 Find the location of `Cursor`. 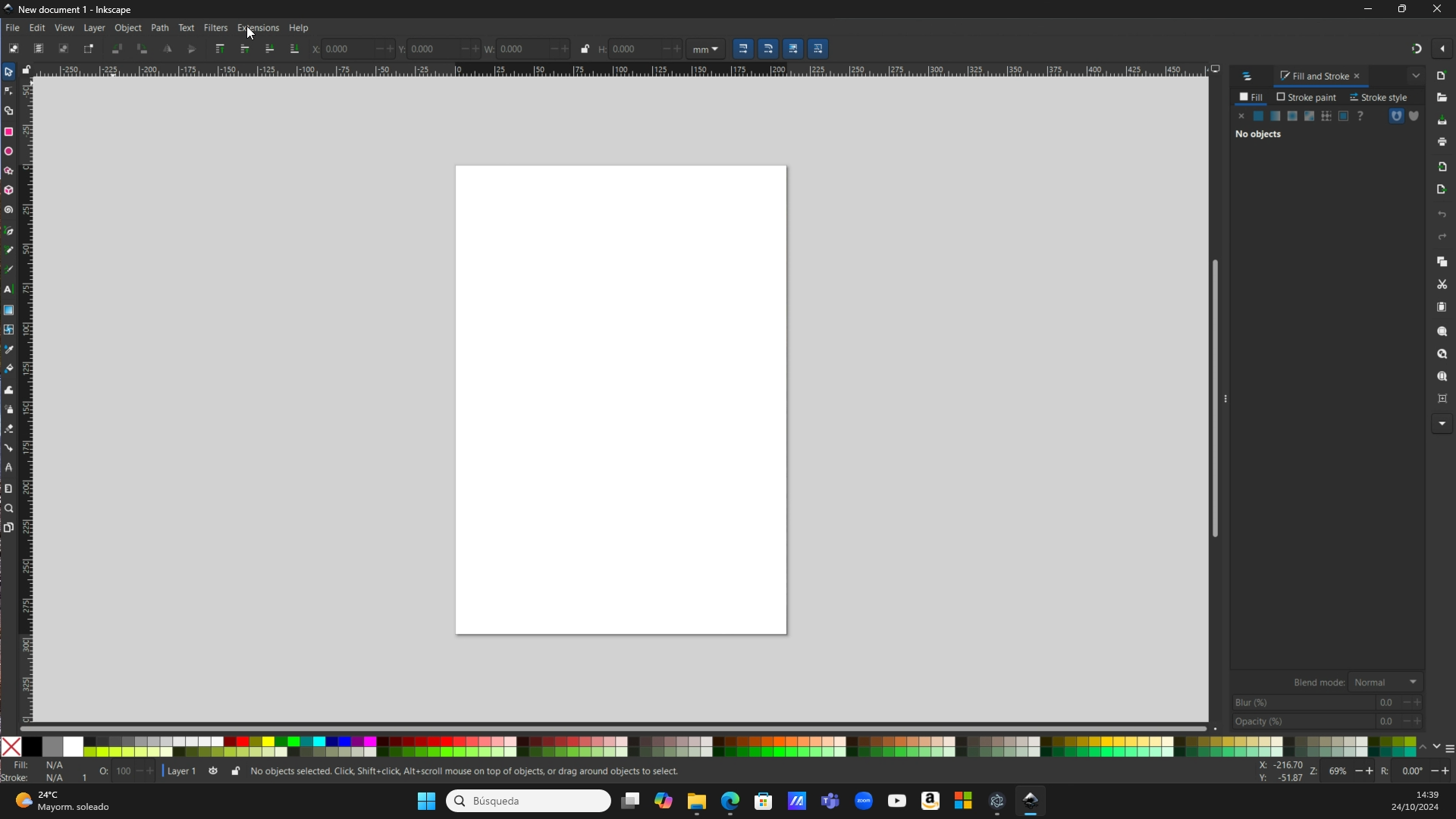

Cursor is located at coordinates (255, 37).